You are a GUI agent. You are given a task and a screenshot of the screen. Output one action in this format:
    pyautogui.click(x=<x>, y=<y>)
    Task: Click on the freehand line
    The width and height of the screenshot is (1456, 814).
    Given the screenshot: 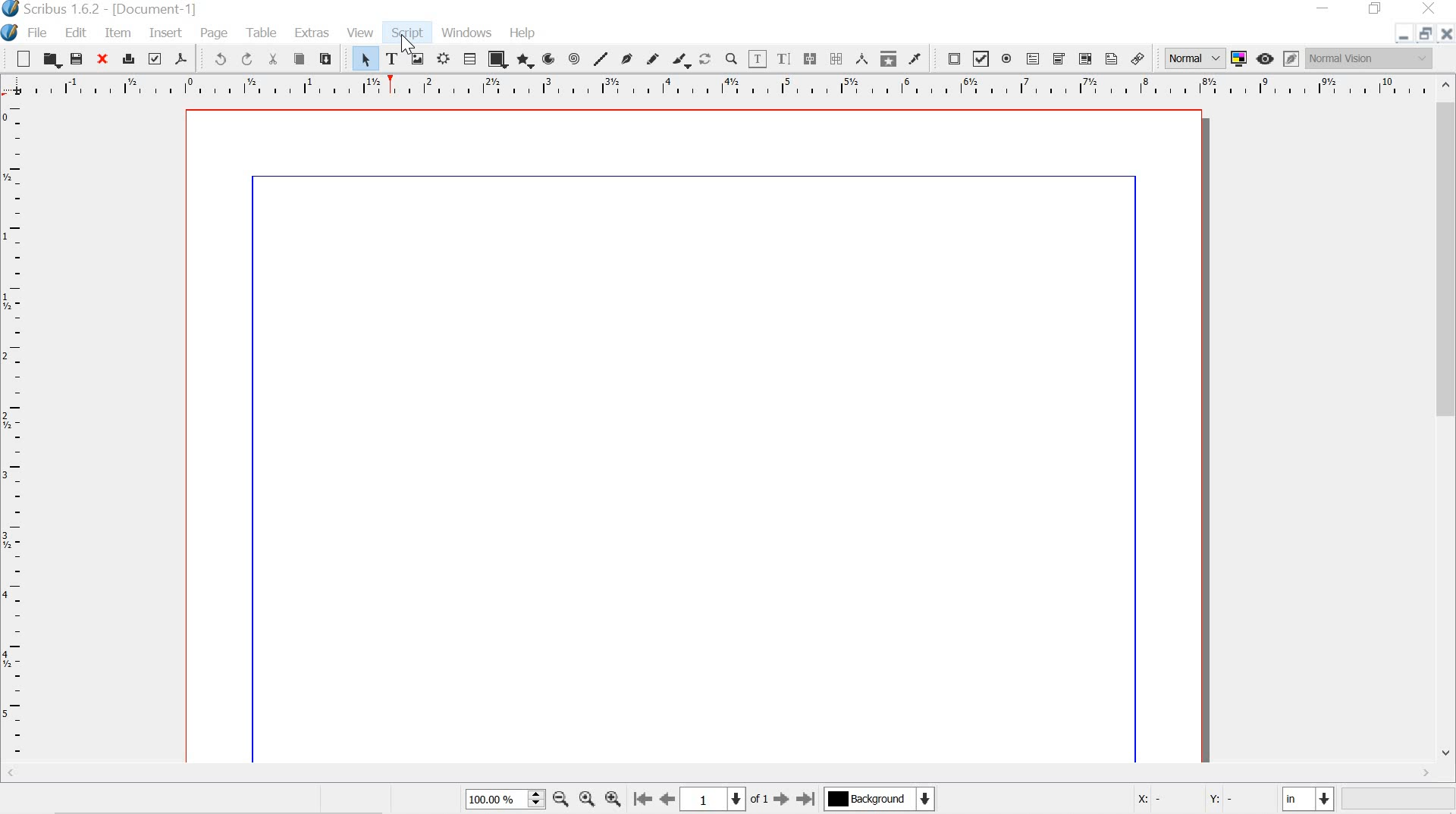 What is the action you would take?
    pyautogui.click(x=651, y=58)
    